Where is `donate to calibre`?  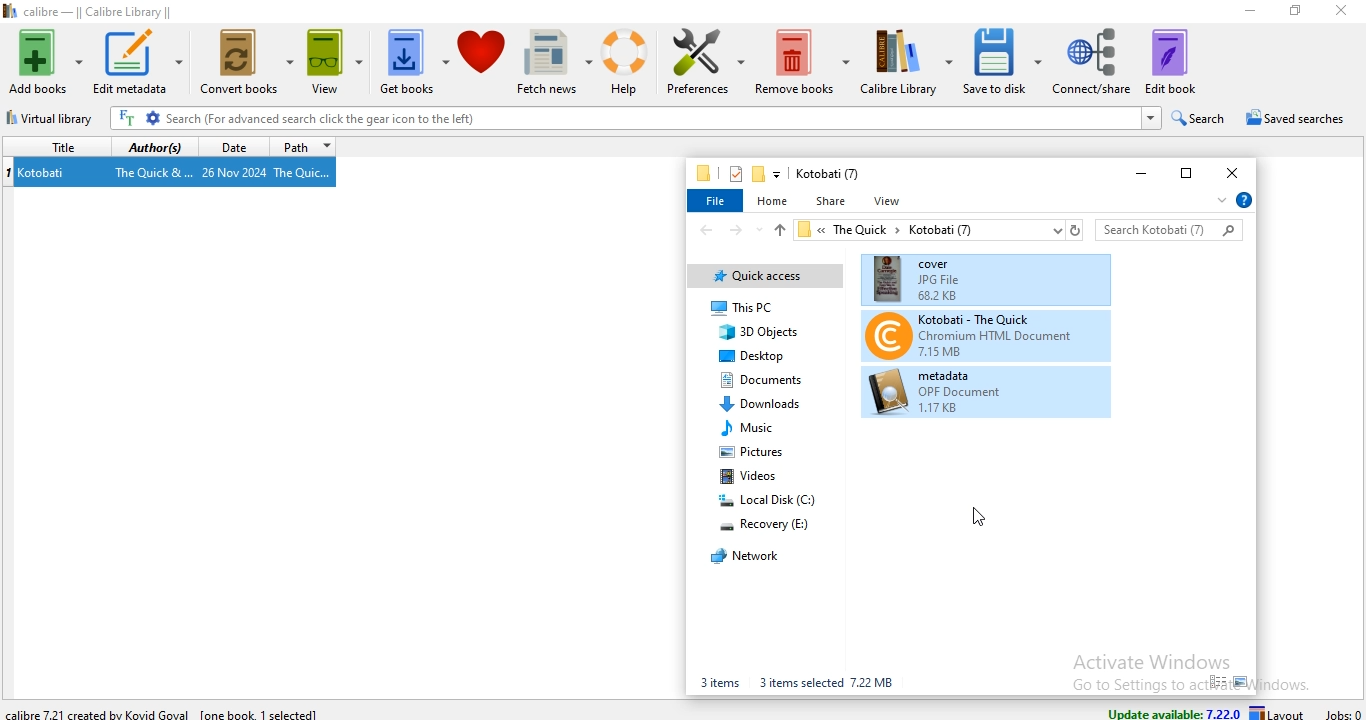 donate to calibre is located at coordinates (481, 61).